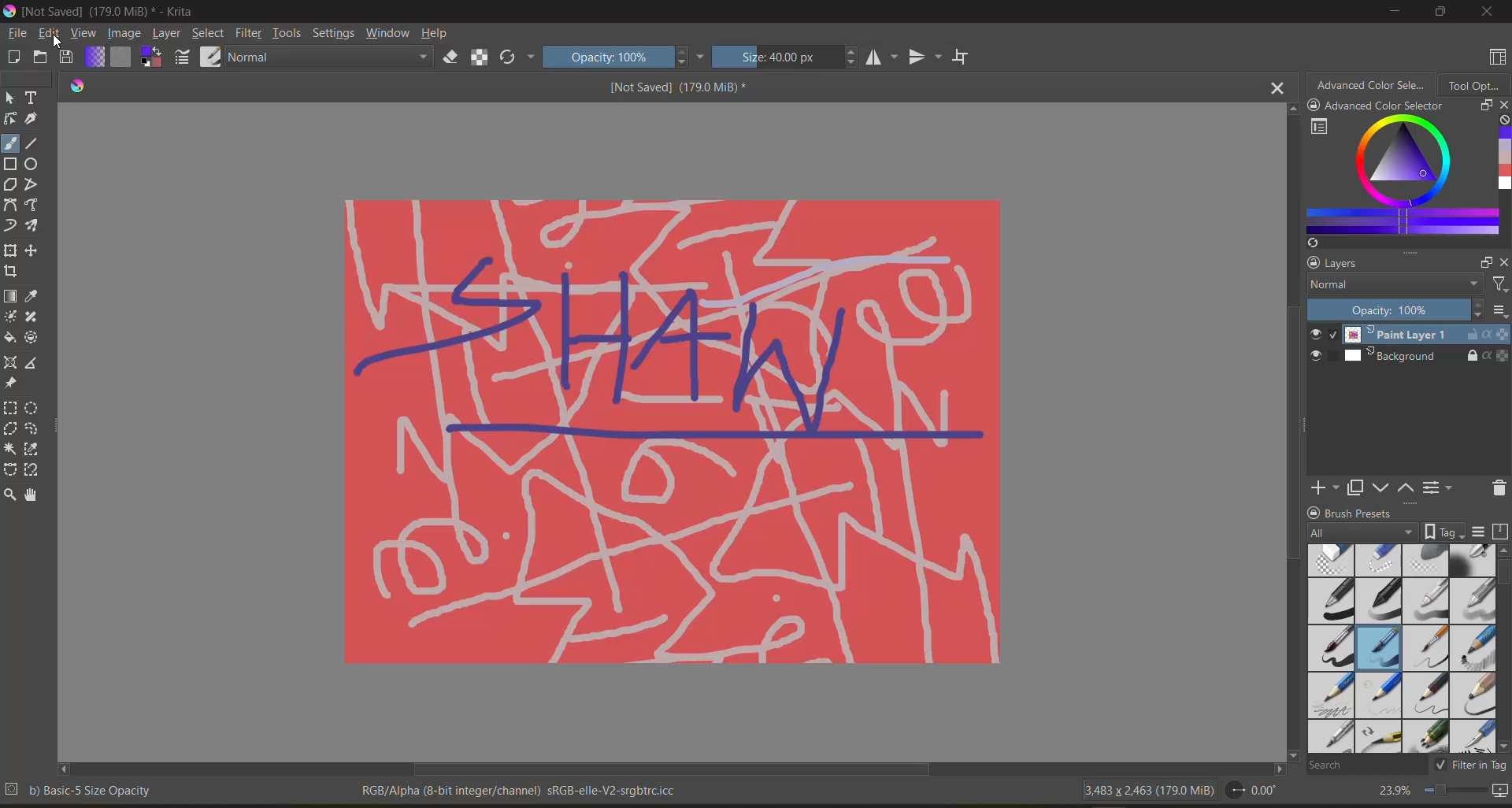  What do you see at coordinates (1440, 13) in the screenshot?
I see `maximize` at bounding box center [1440, 13].